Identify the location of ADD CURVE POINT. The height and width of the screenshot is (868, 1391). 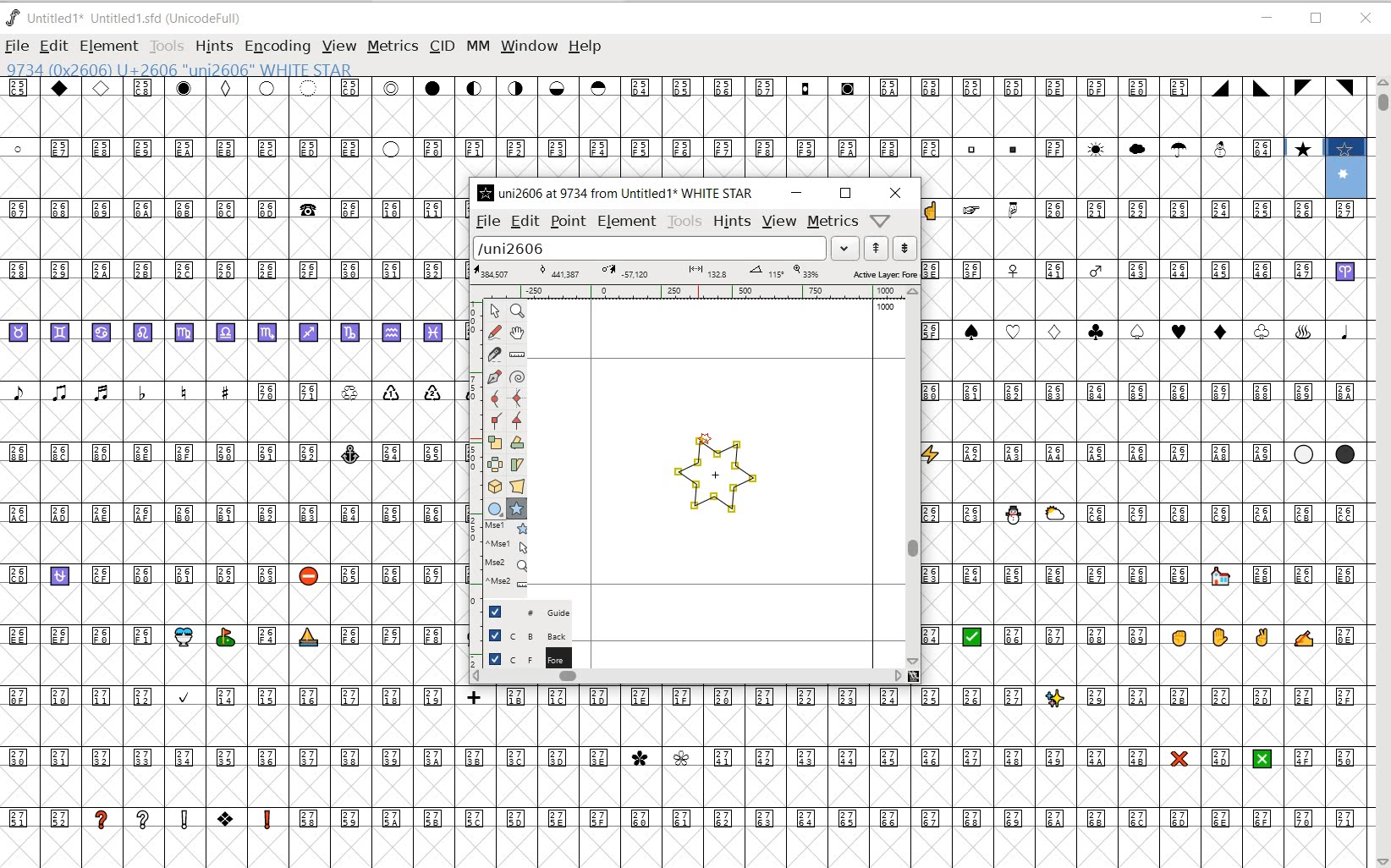
(518, 399).